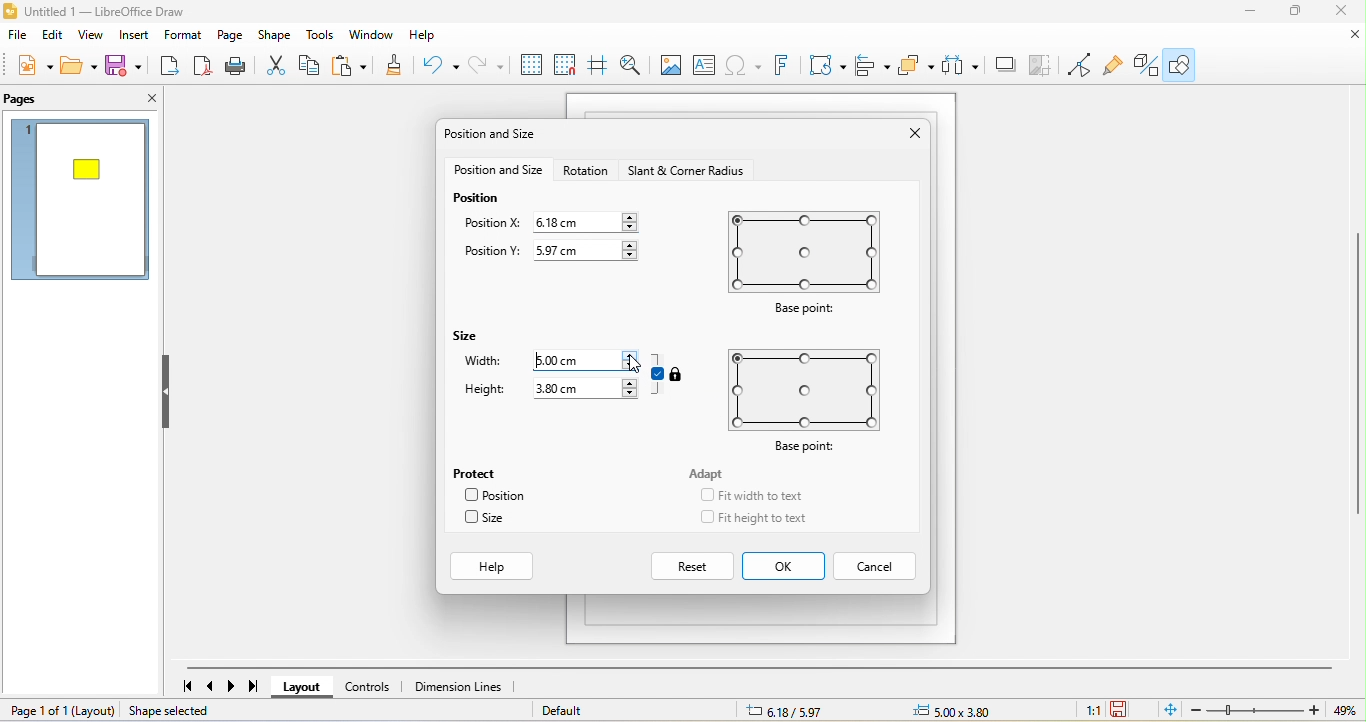 Image resolution: width=1366 pixels, height=722 pixels. Describe the element at coordinates (233, 37) in the screenshot. I see `page` at that location.